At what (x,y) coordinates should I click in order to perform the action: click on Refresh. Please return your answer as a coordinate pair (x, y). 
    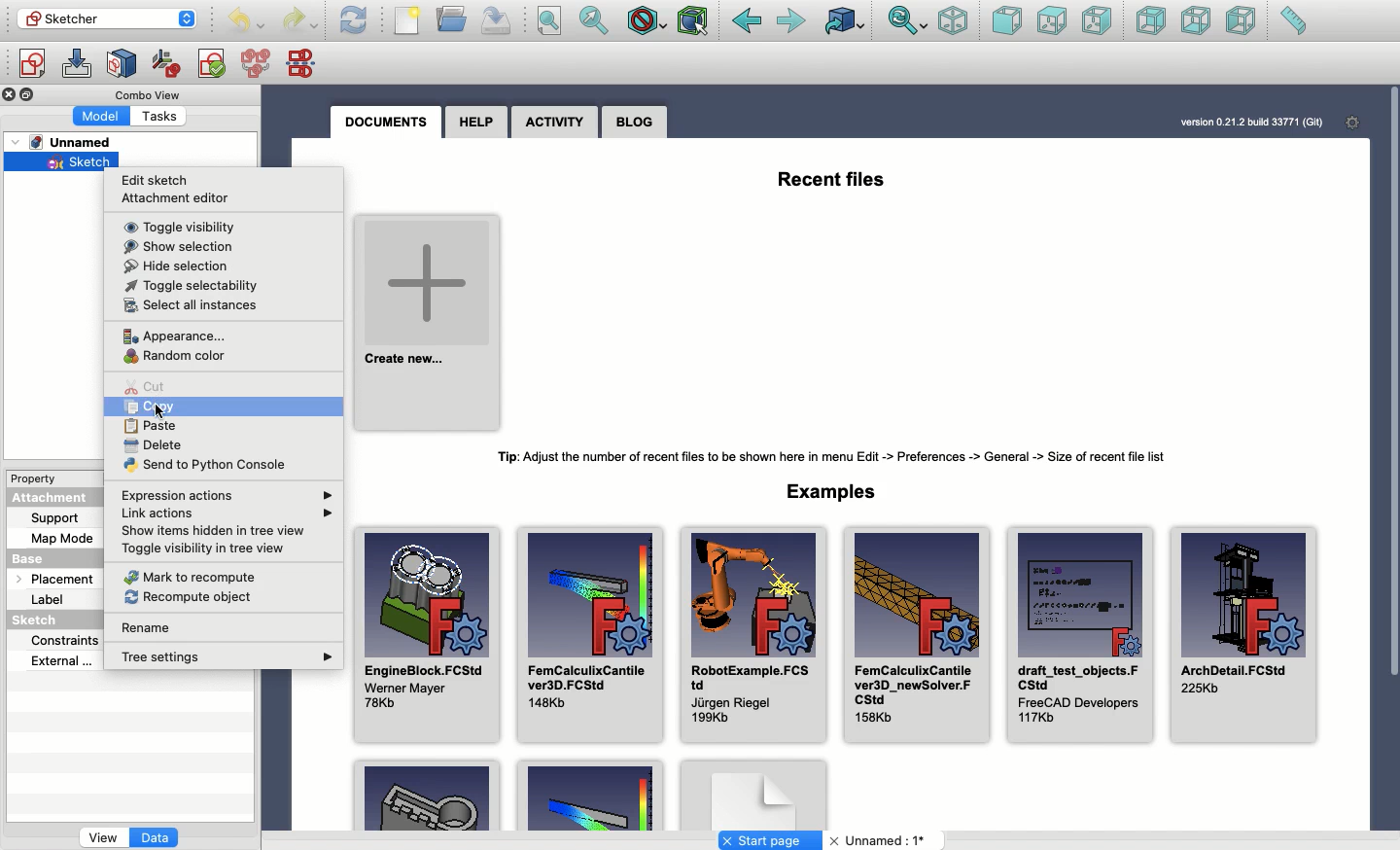
    Looking at the image, I should click on (354, 20).